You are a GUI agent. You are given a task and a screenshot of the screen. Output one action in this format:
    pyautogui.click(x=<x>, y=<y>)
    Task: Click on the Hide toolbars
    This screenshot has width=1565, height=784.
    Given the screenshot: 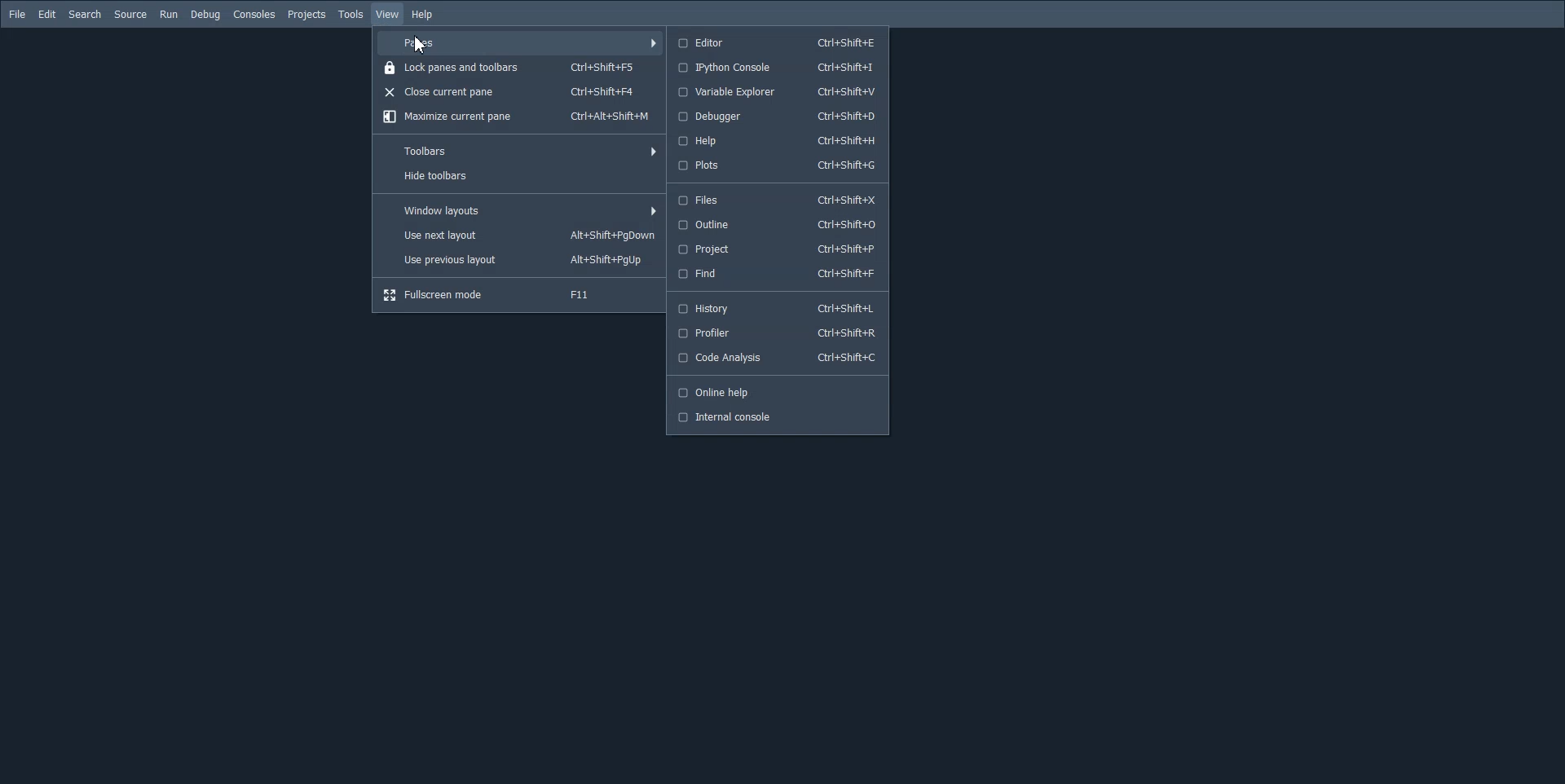 What is the action you would take?
    pyautogui.click(x=519, y=175)
    